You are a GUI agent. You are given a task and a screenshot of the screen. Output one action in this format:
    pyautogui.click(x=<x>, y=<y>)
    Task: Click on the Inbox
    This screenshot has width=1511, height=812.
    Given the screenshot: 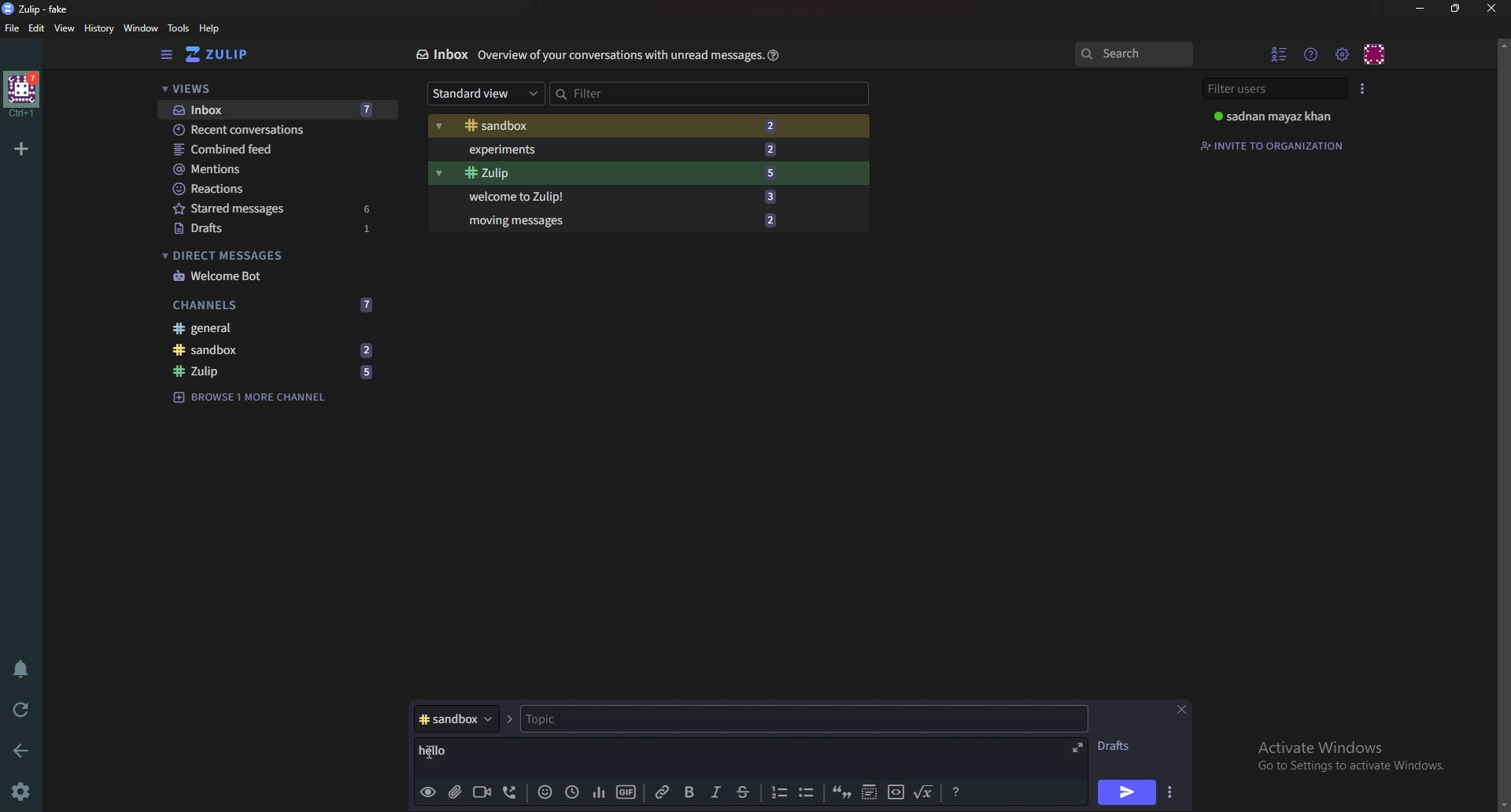 What is the action you would take?
    pyautogui.click(x=280, y=108)
    